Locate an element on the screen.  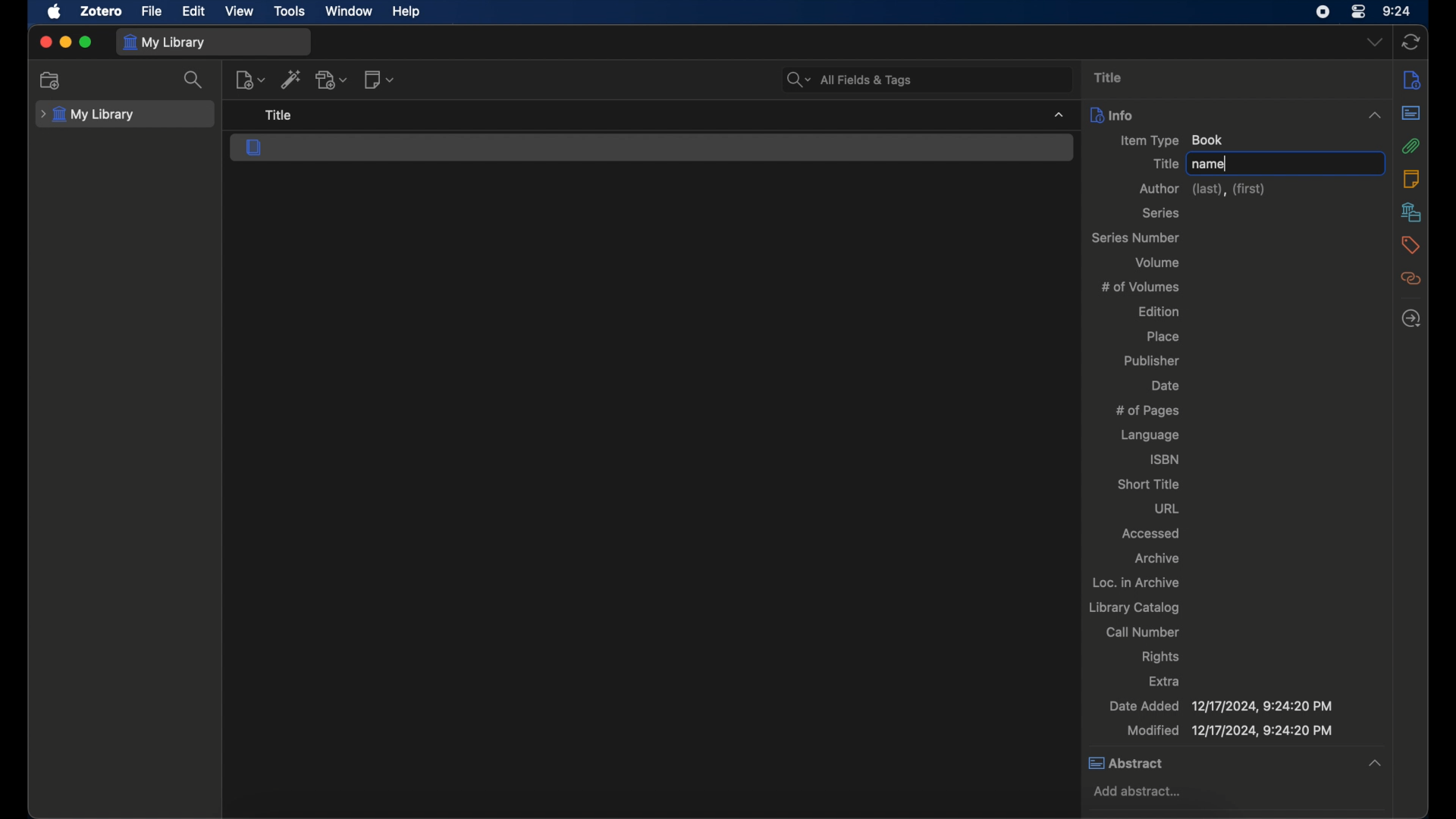
zotero is located at coordinates (100, 11).